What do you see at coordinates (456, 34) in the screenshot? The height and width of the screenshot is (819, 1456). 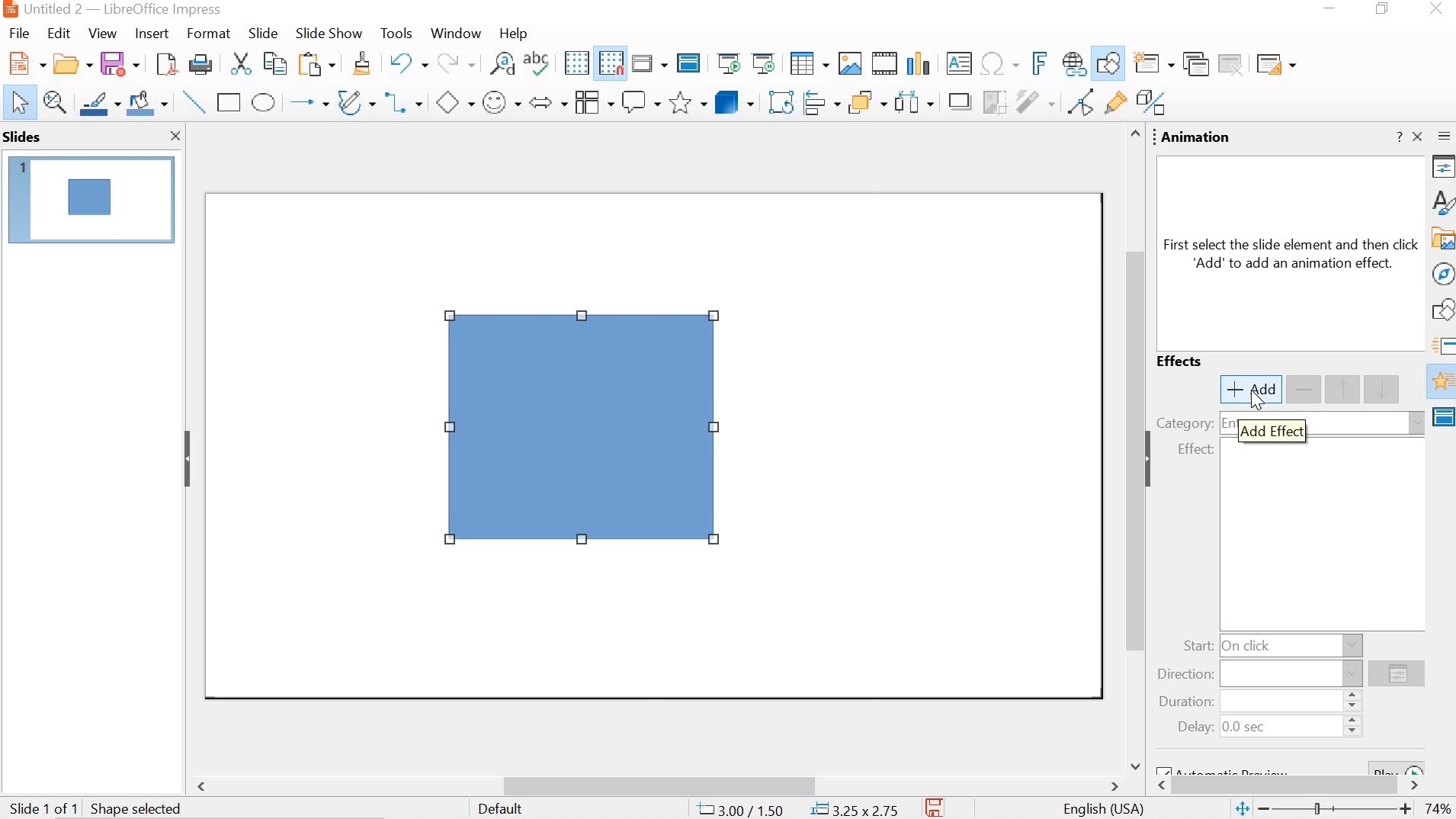 I see `window` at bounding box center [456, 34].